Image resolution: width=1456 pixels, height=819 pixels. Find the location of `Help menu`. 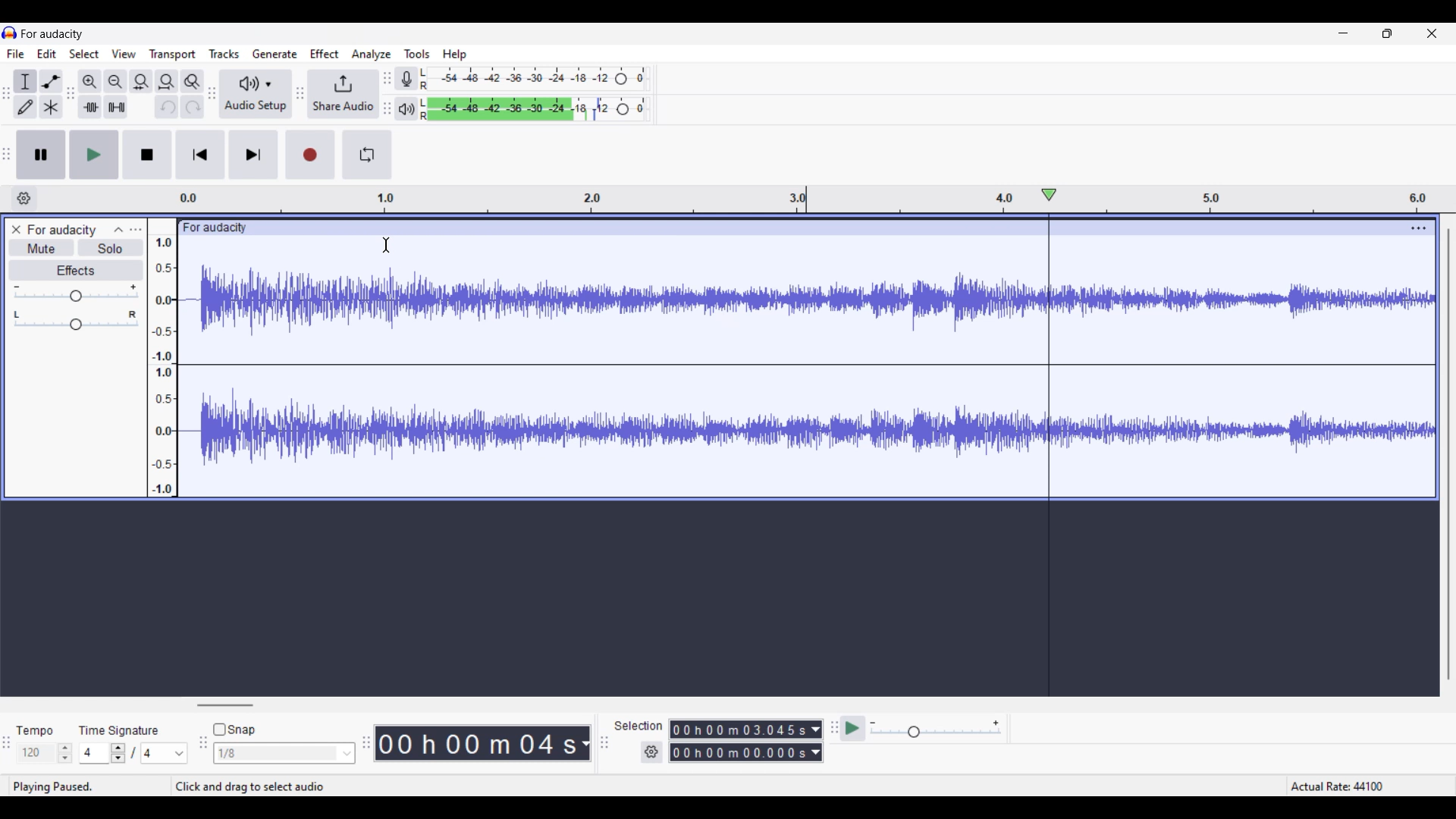

Help menu is located at coordinates (454, 55).